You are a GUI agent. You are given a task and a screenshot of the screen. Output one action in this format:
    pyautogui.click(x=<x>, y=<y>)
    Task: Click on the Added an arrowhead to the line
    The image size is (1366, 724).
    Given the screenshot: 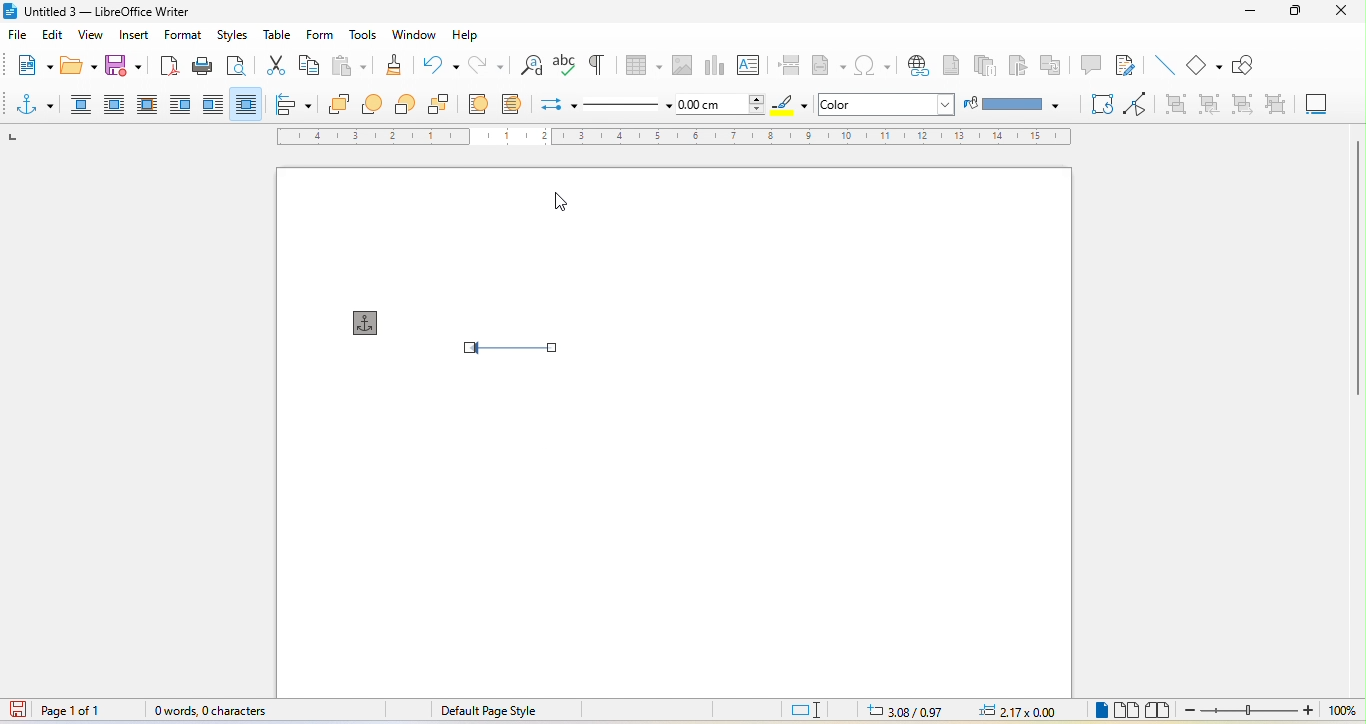 What is the action you would take?
    pyautogui.click(x=526, y=351)
    